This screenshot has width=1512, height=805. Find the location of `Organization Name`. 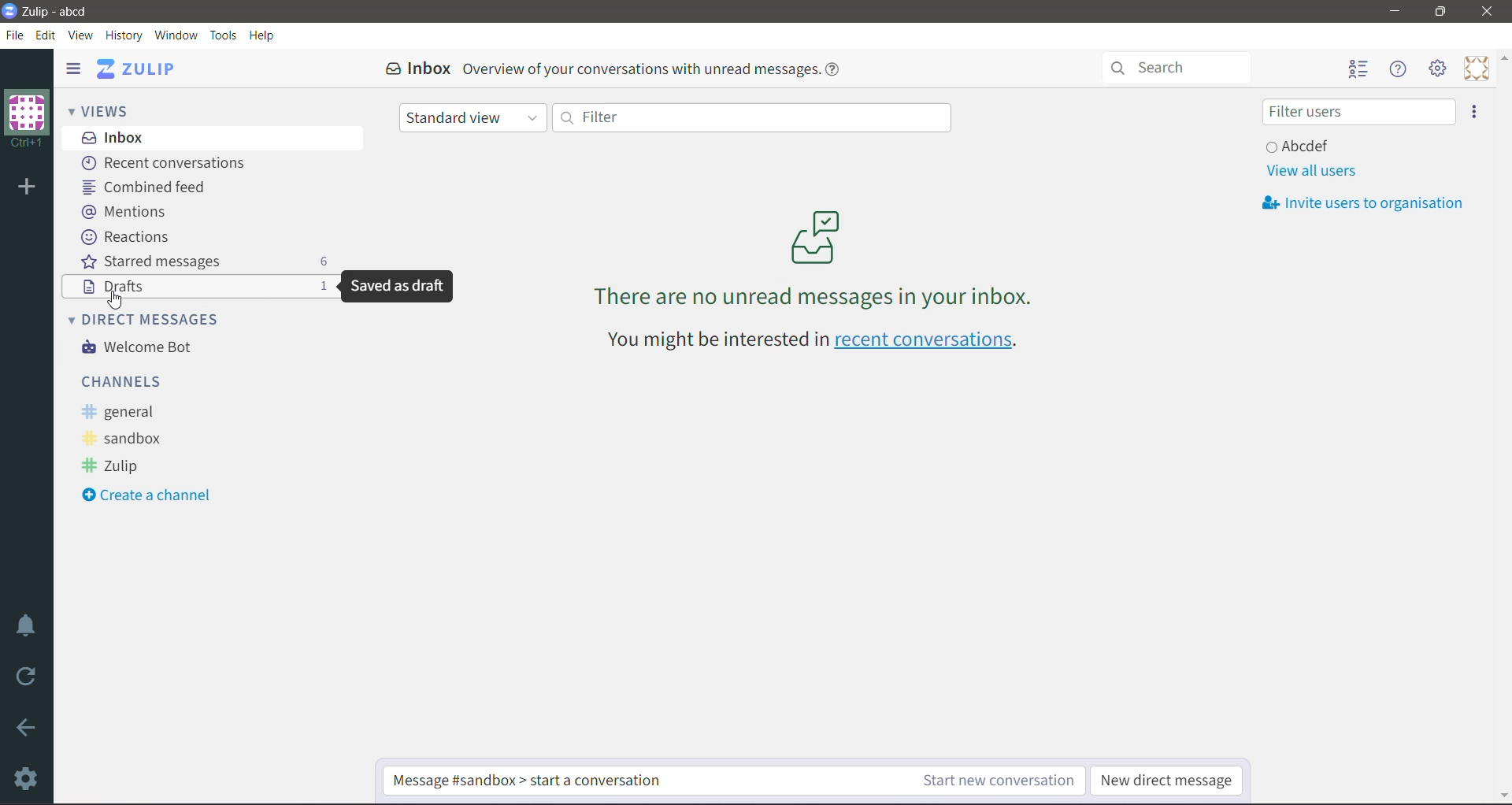

Organization Name is located at coordinates (27, 119).